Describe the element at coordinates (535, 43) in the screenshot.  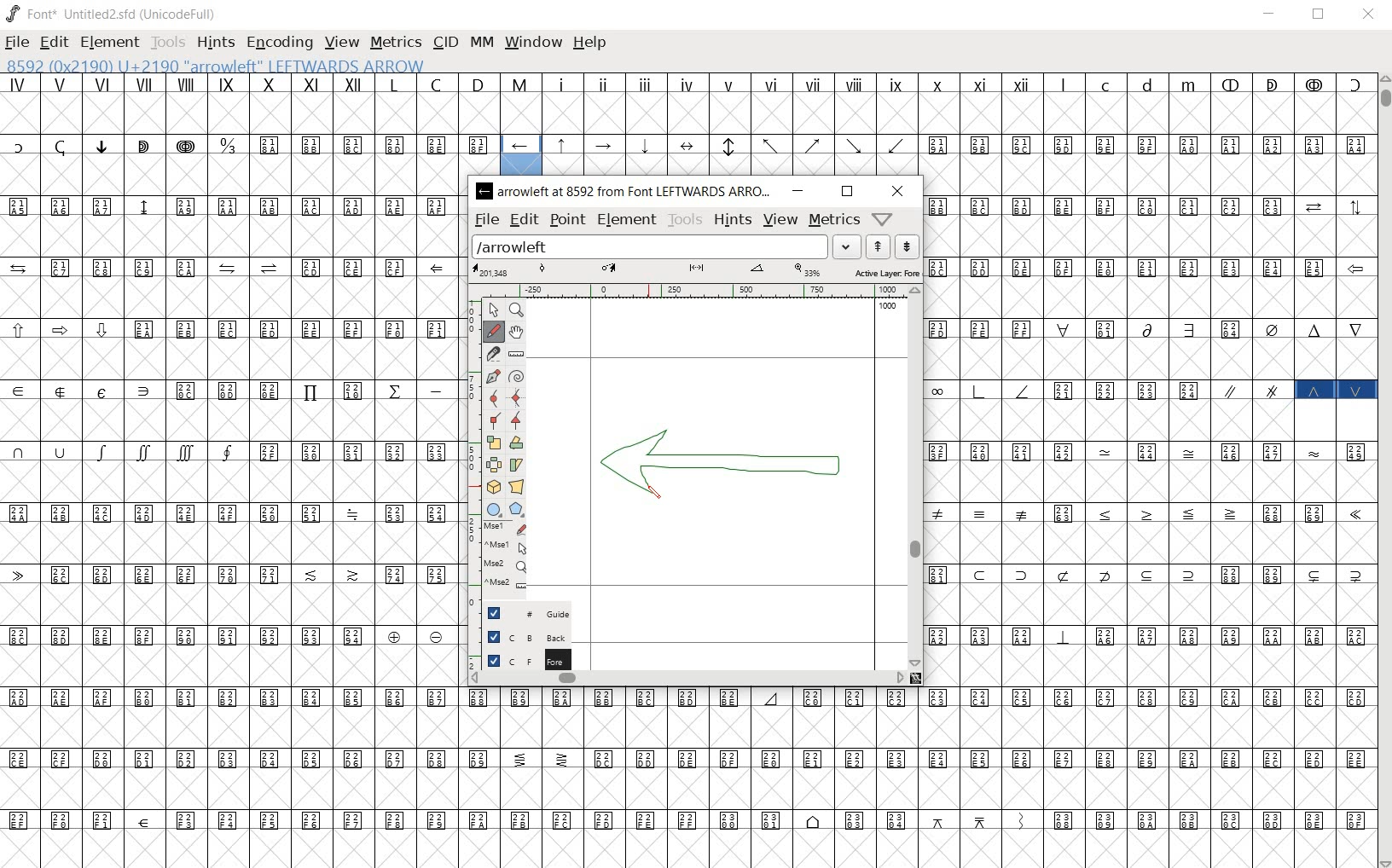
I see `window` at that location.